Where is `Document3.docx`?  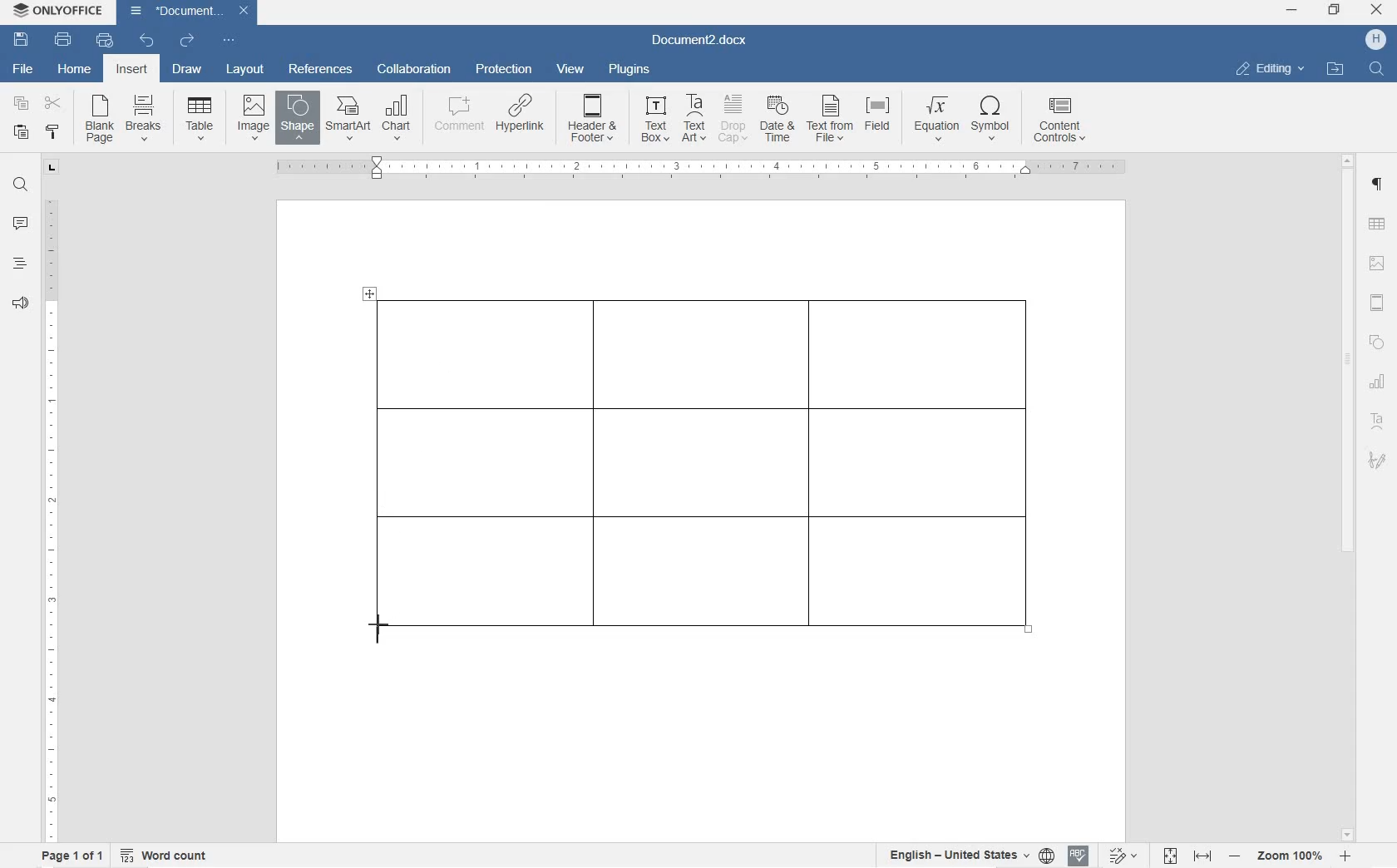
Document3.docx is located at coordinates (189, 12).